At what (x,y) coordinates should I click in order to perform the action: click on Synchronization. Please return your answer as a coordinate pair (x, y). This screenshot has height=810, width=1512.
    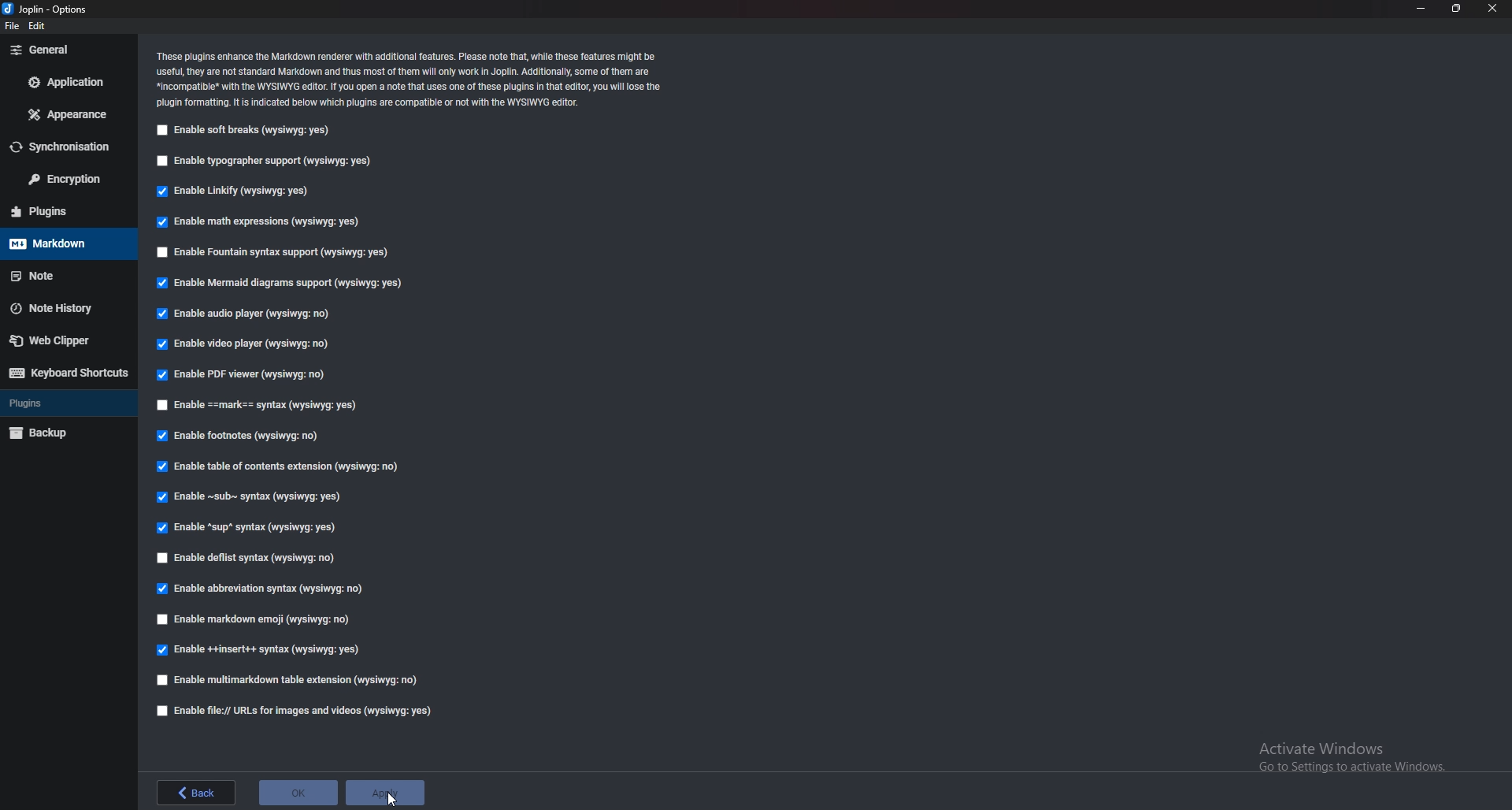
    Looking at the image, I should click on (66, 146).